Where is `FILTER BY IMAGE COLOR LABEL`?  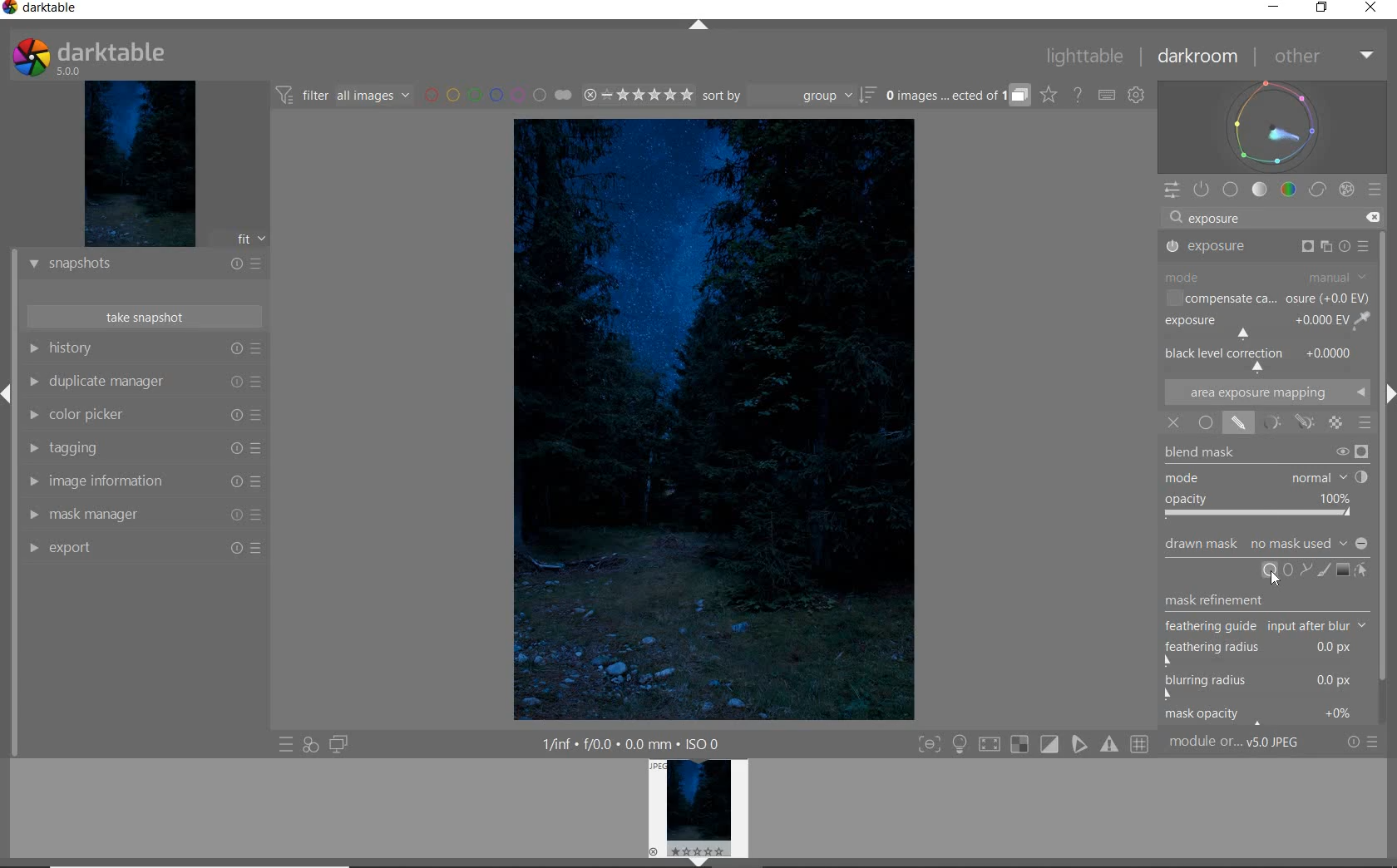 FILTER BY IMAGE COLOR LABEL is located at coordinates (498, 96).